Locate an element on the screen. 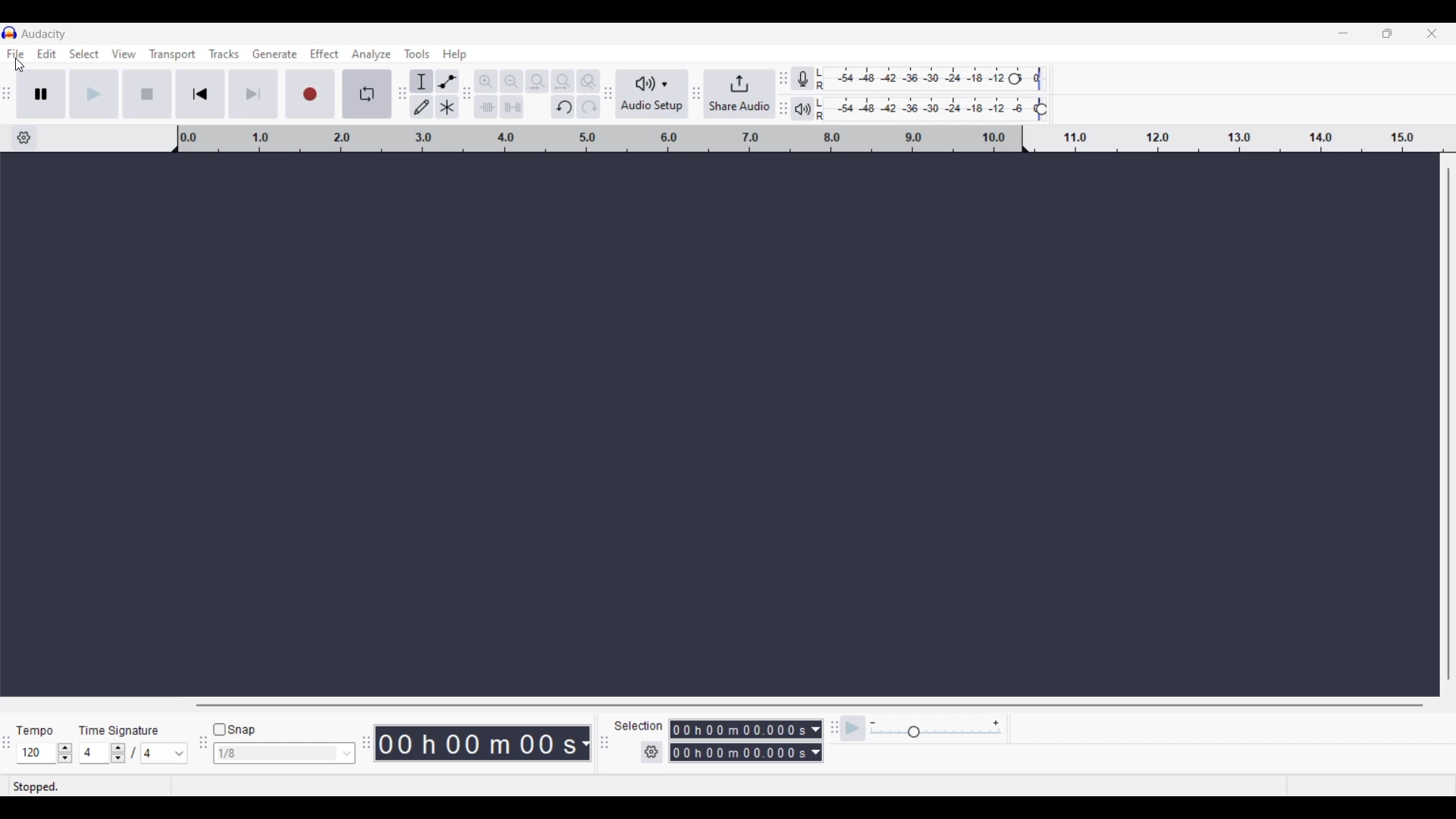  Selection is located at coordinates (639, 726).